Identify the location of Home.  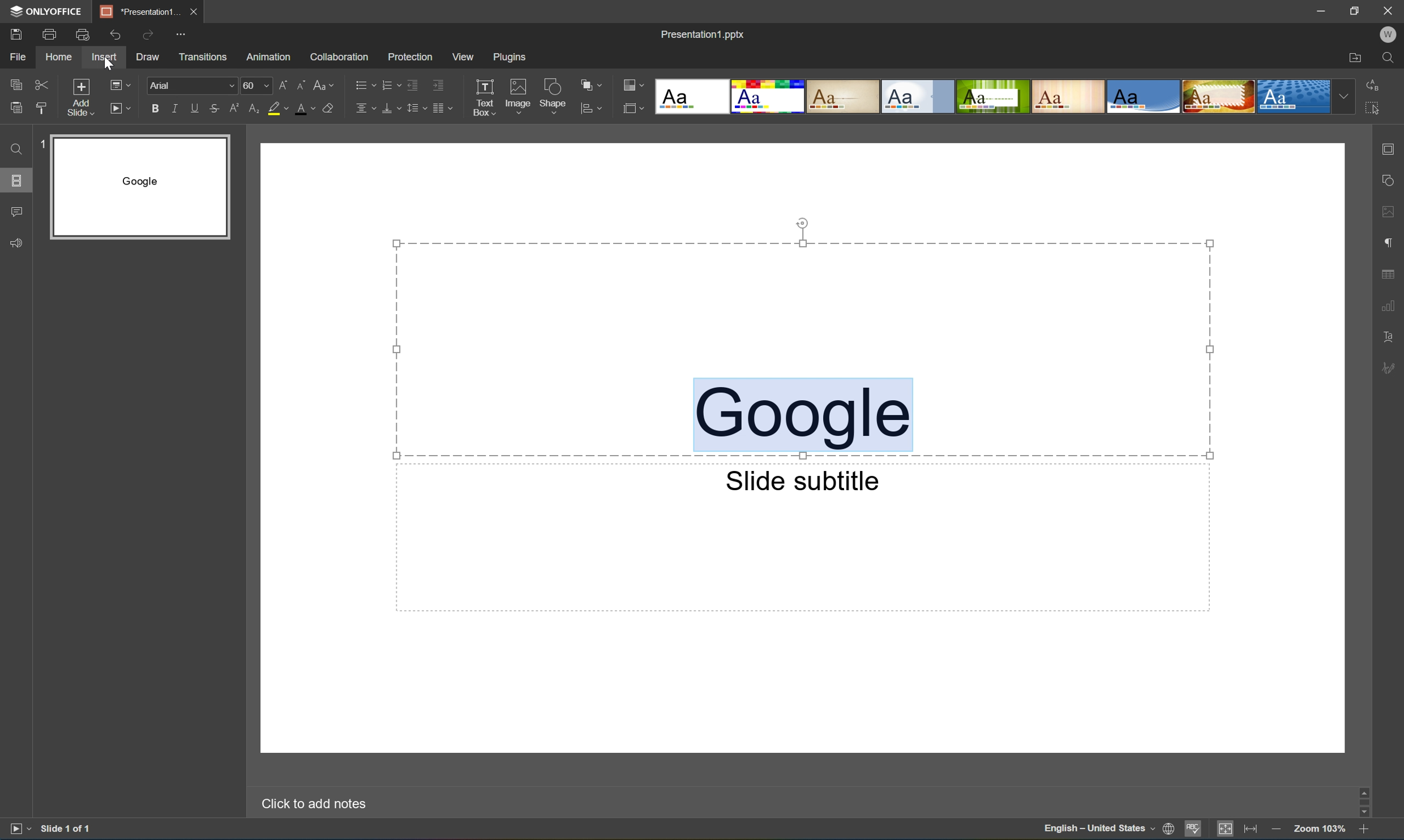
(61, 57).